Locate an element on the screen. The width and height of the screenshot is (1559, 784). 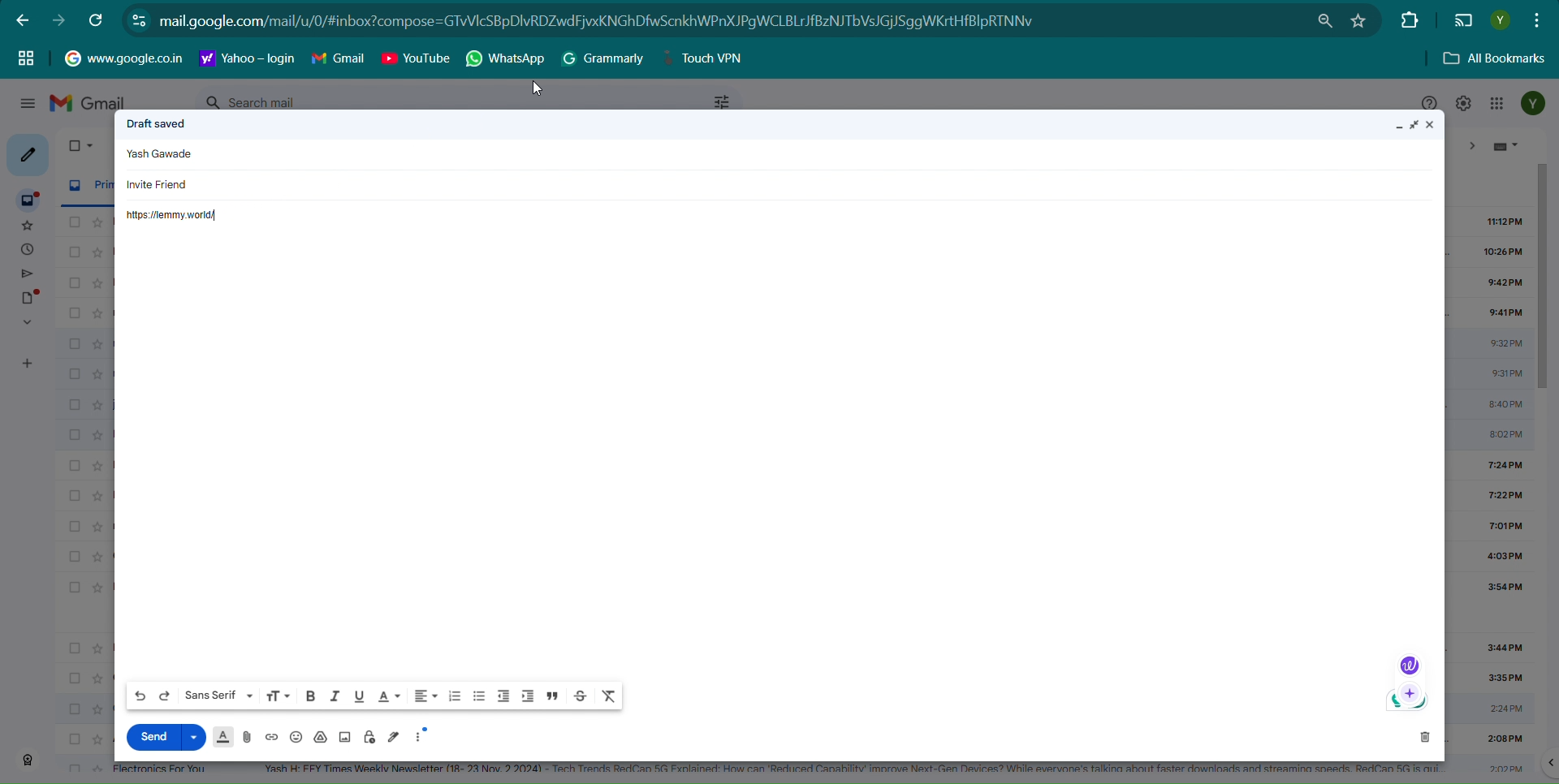
Bookmark this tab is located at coordinates (1358, 20).